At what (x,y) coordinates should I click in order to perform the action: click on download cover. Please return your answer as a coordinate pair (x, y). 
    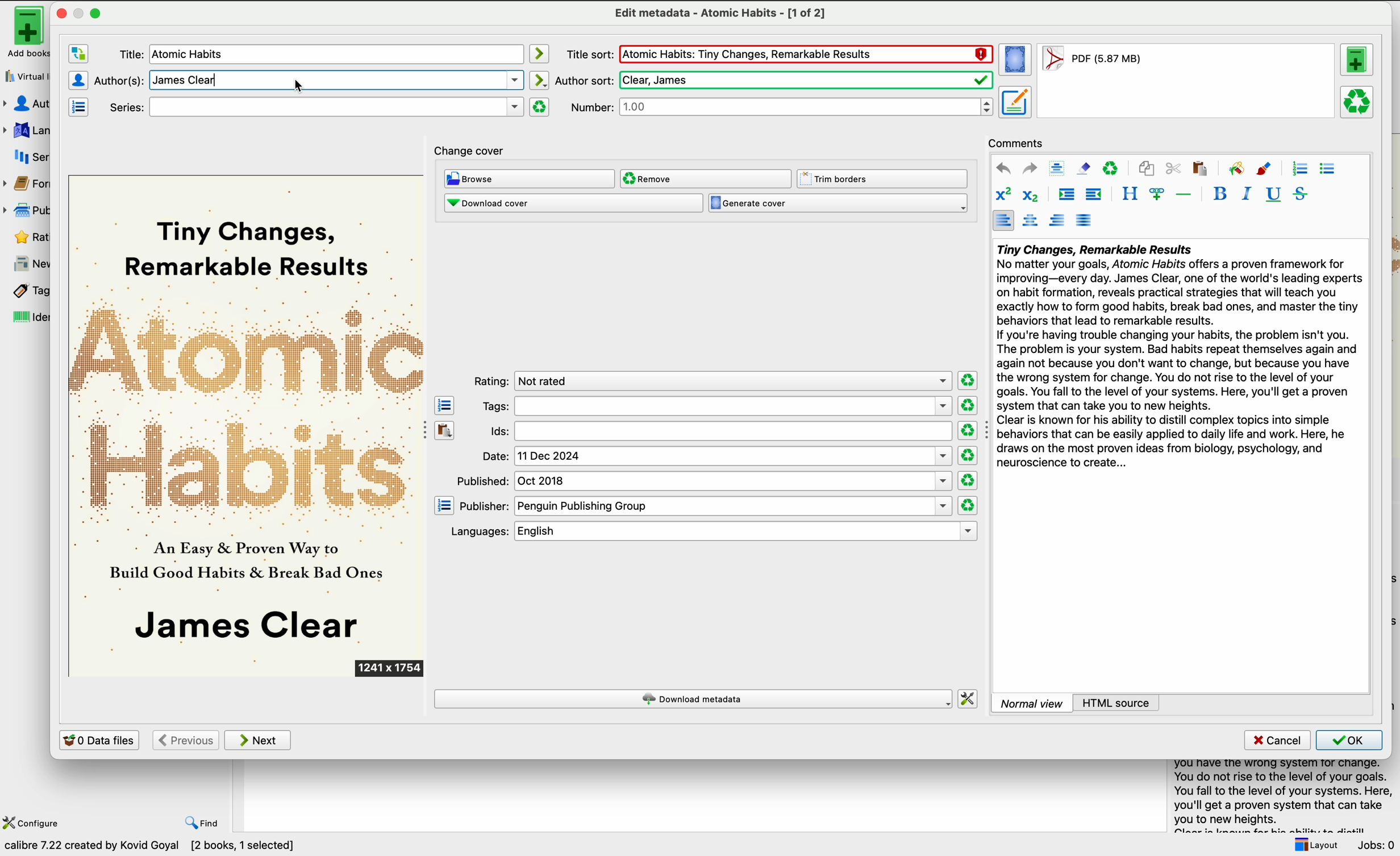
    Looking at the image, I should click on (573, 204).